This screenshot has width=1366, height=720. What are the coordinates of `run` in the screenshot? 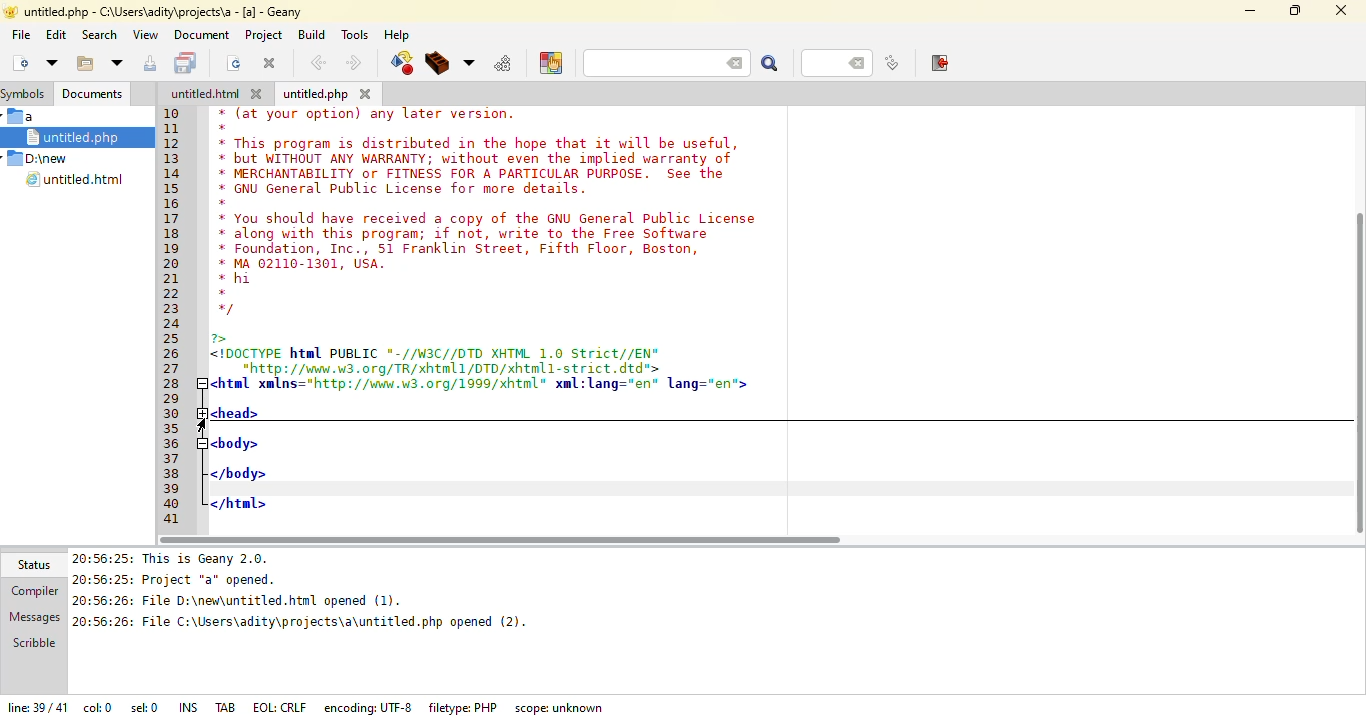 It's located at (505, 65).